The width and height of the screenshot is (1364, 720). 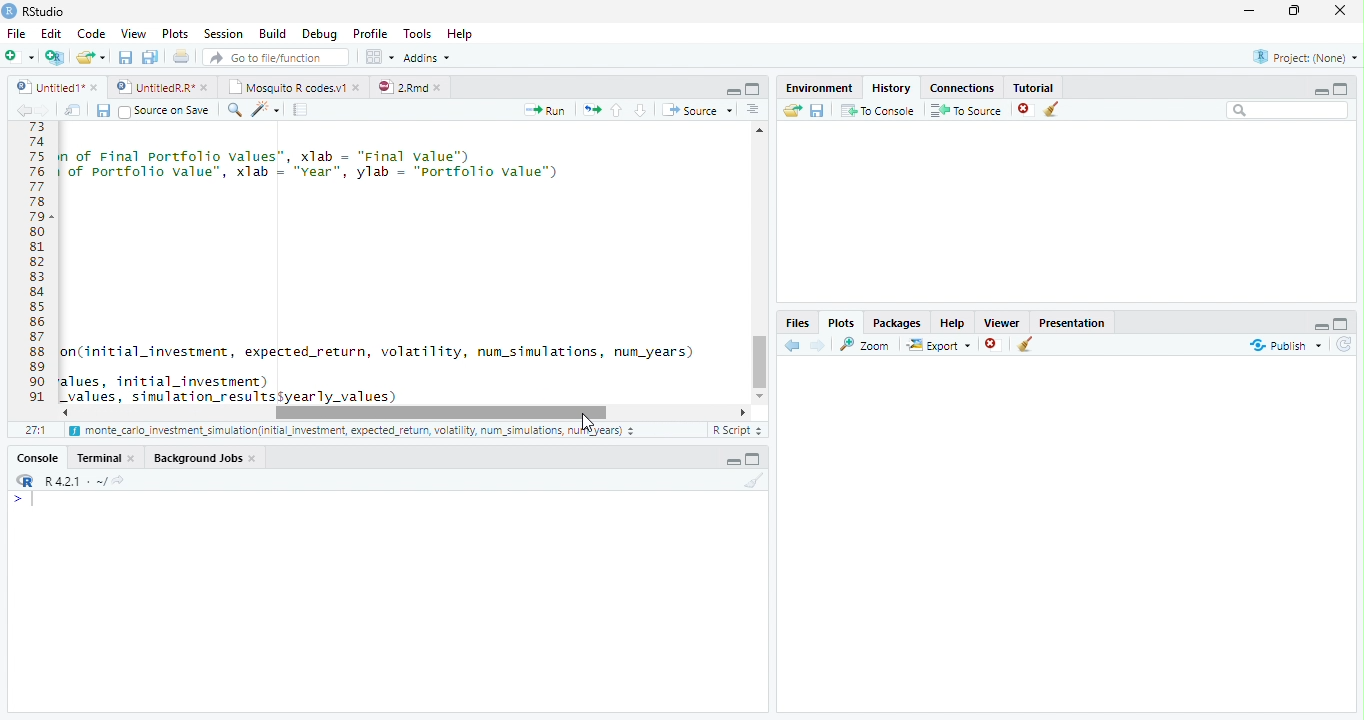 I want to click on , so click(x=732, y=89).